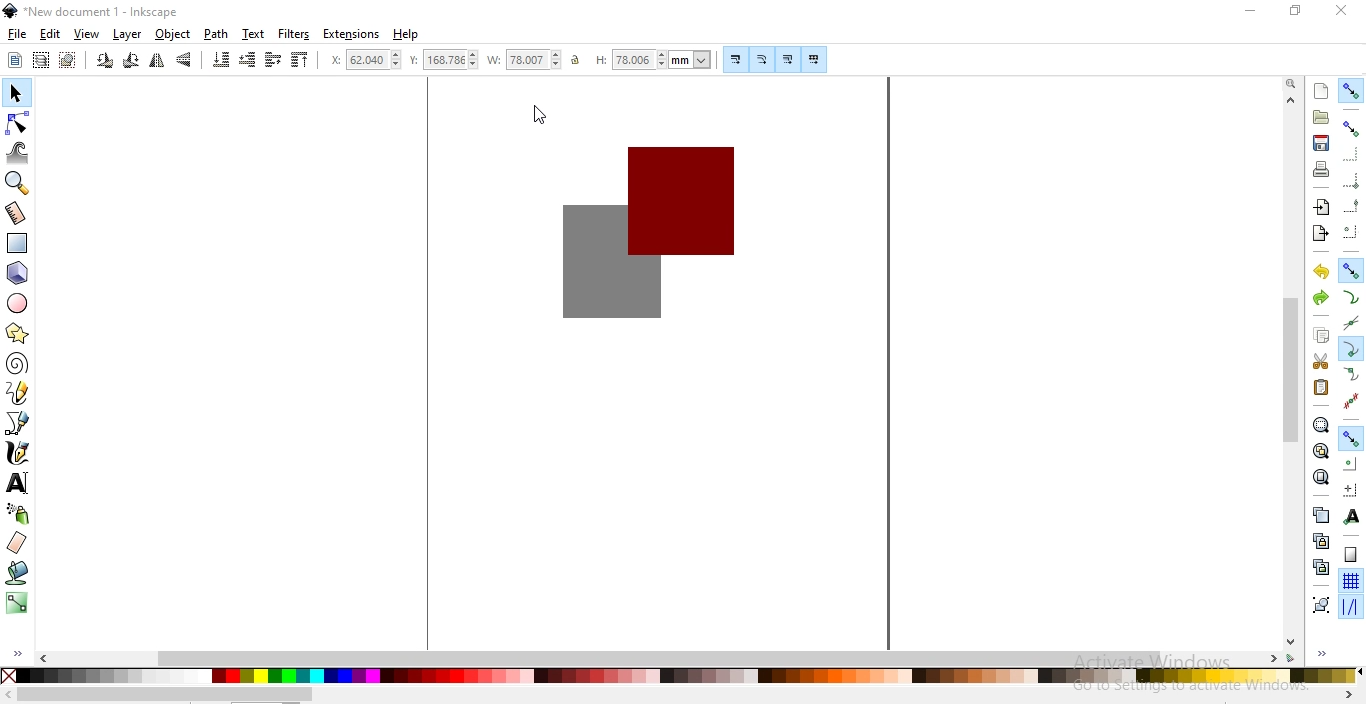 The height and width of the screenshot is (704, 1366). Describe the element at coordinates (444, 61) in the screenshot. I see `vertical coordiante of selection` at that location.